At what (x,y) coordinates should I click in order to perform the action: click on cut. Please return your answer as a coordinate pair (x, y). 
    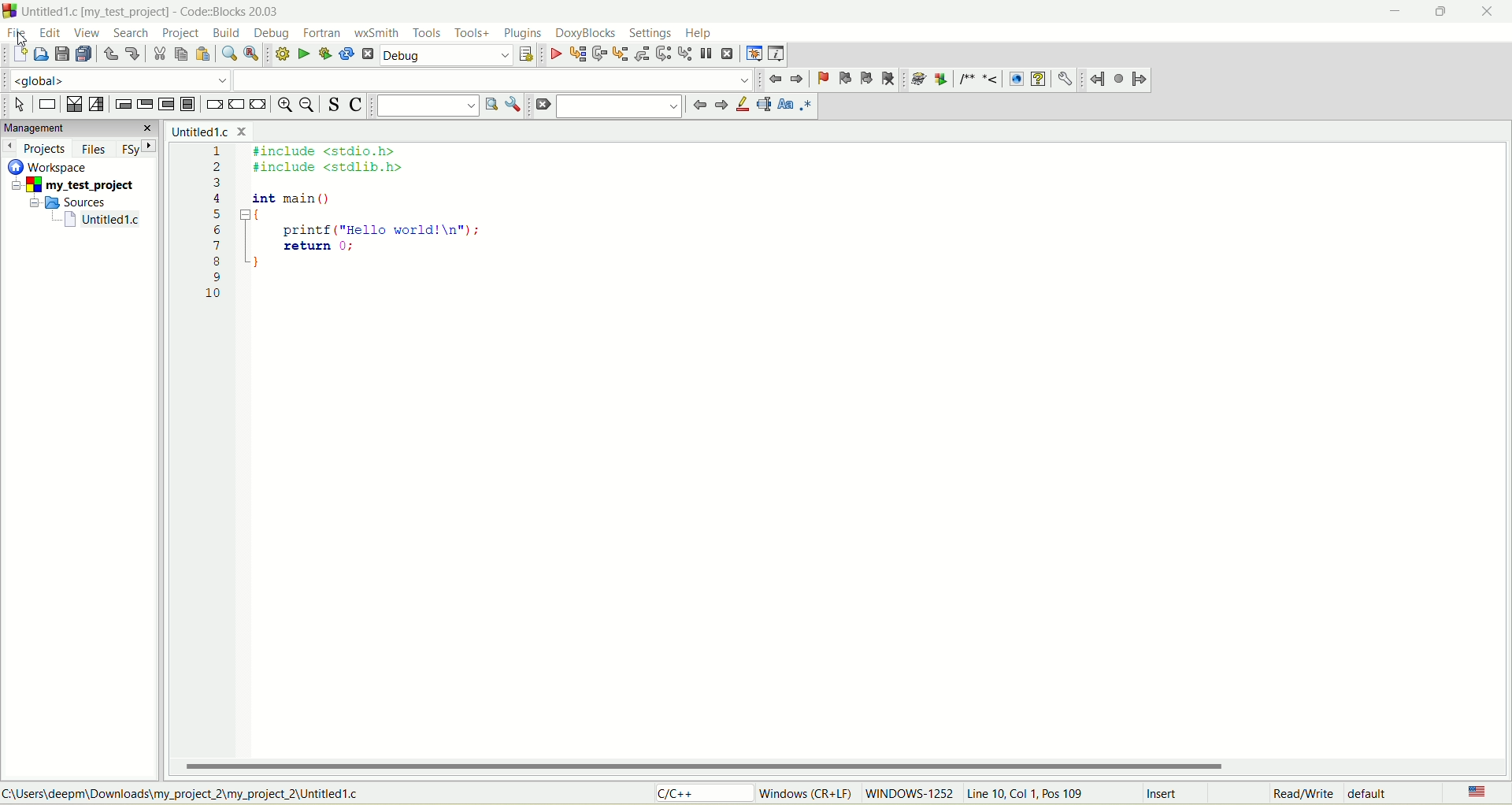
    Looking at the image, I should click on (158, 54).